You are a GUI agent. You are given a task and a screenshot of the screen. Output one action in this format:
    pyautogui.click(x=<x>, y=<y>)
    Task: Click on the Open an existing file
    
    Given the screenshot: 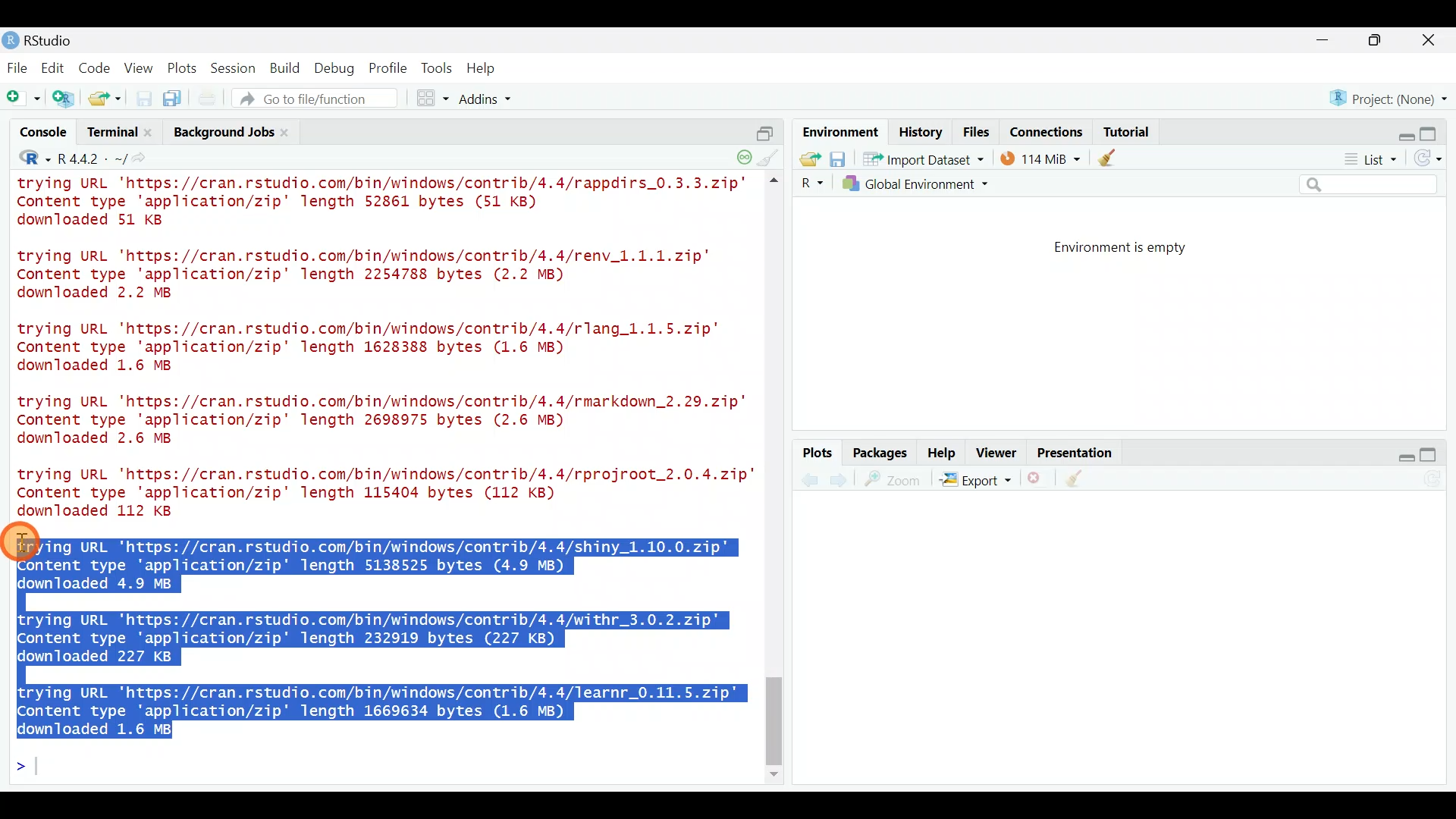 What is the action you would take?
    pyautogui.click(x=106, y=100)
    